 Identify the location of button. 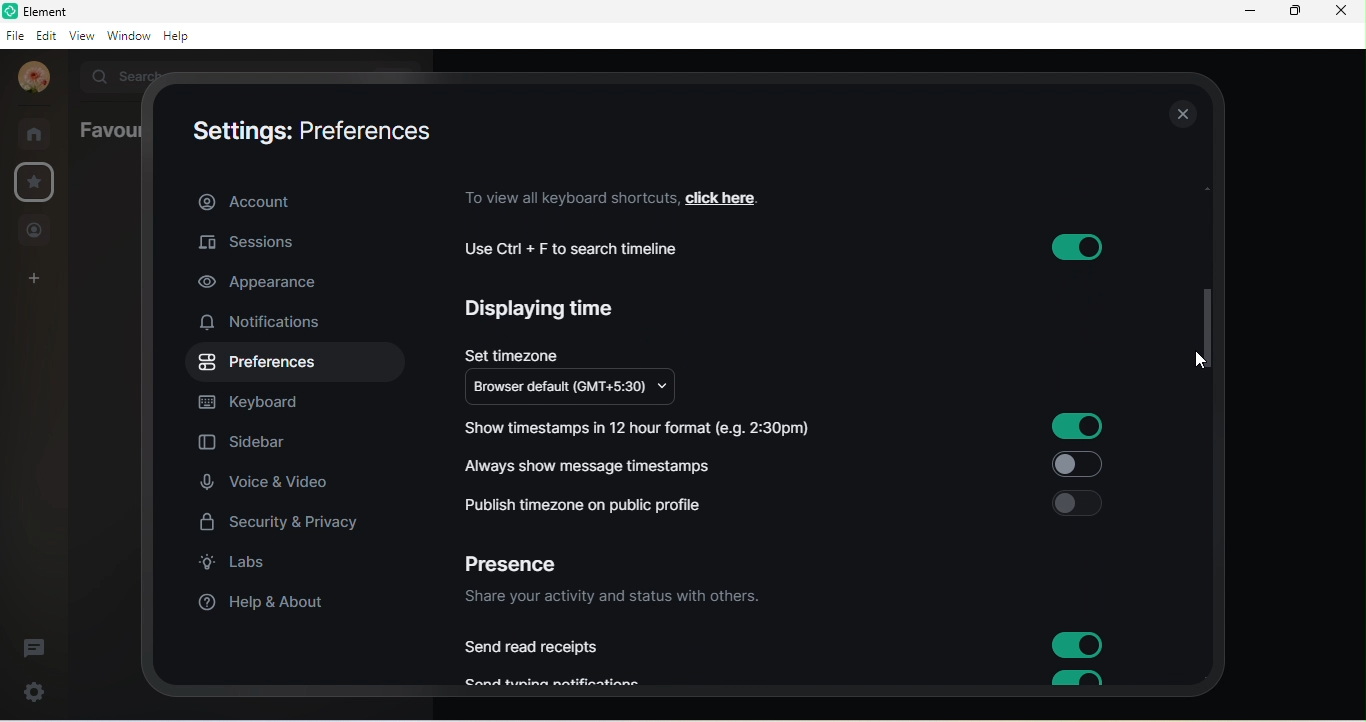
(1073, 679).